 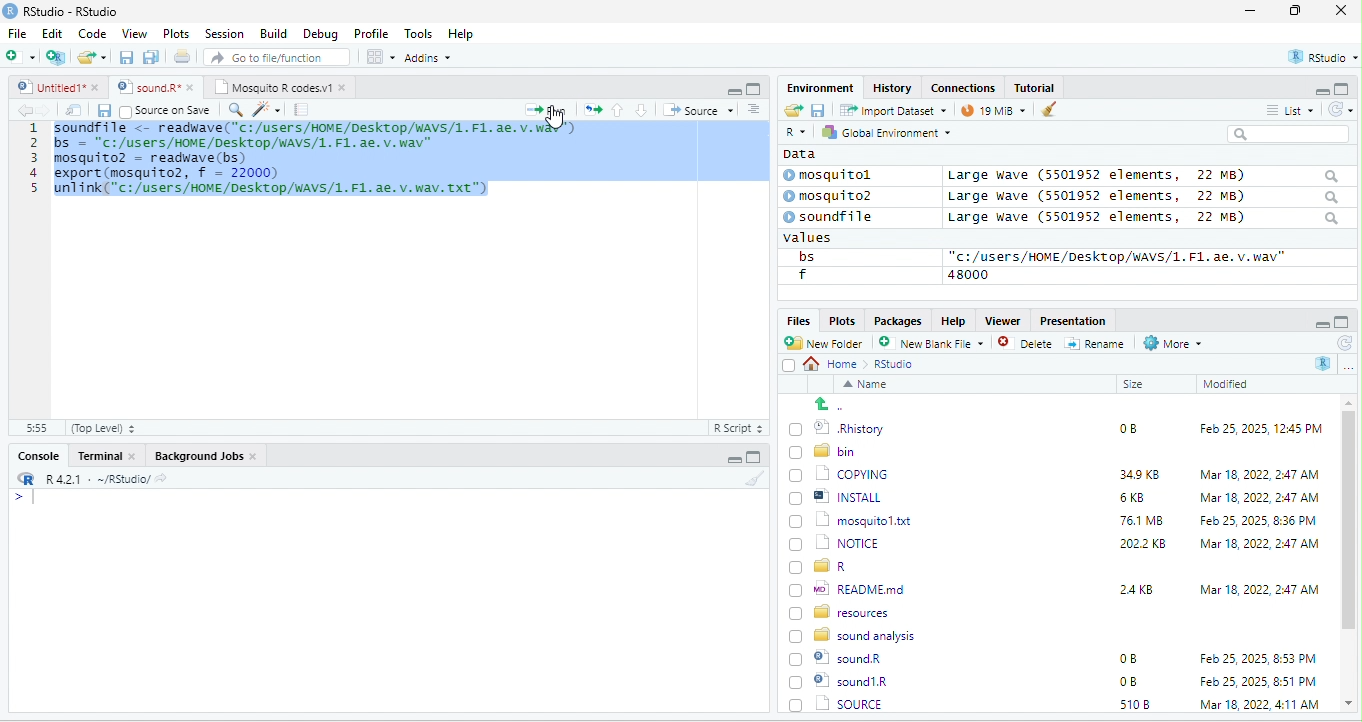 I want to click on Rstudio, so click(x=895, y=364).